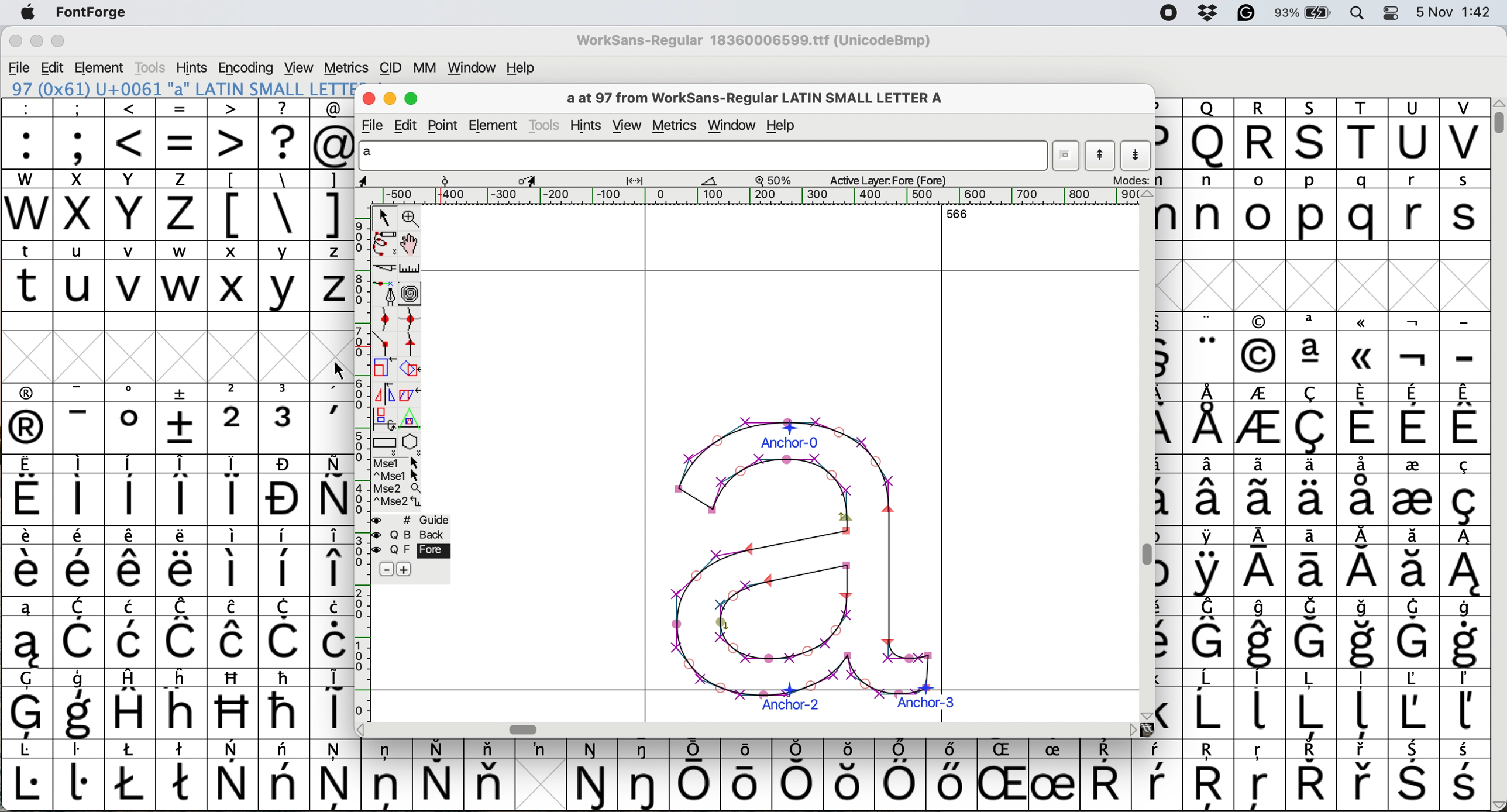 The width and height of the screenshot is (1507, 812). Describe the element at coordinates (247, 68) in the screenshot. I see `encoding` at that location.